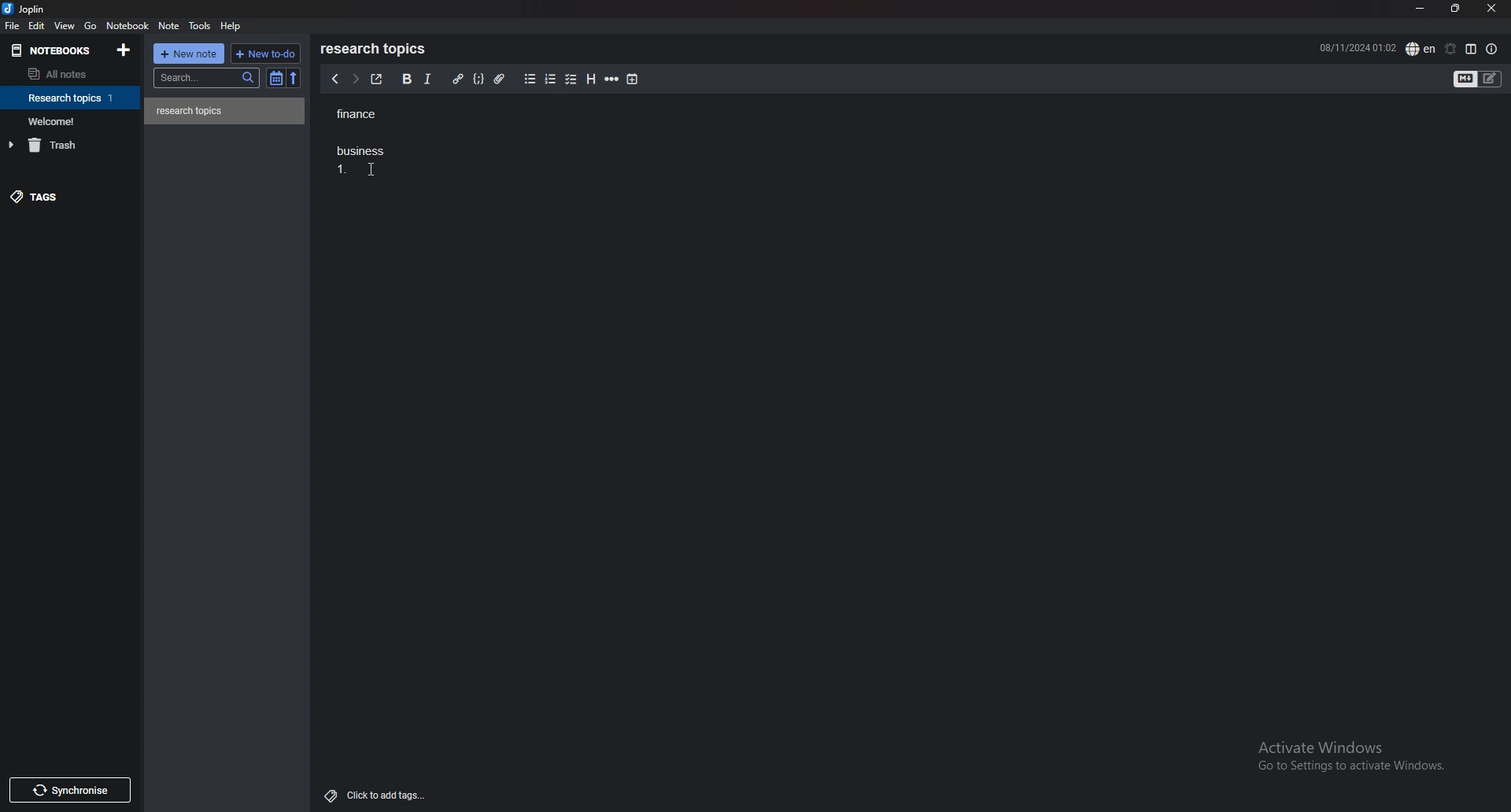 The width and height of the screenshot is (1511, 812). I want to click on code, so click(479, 78).